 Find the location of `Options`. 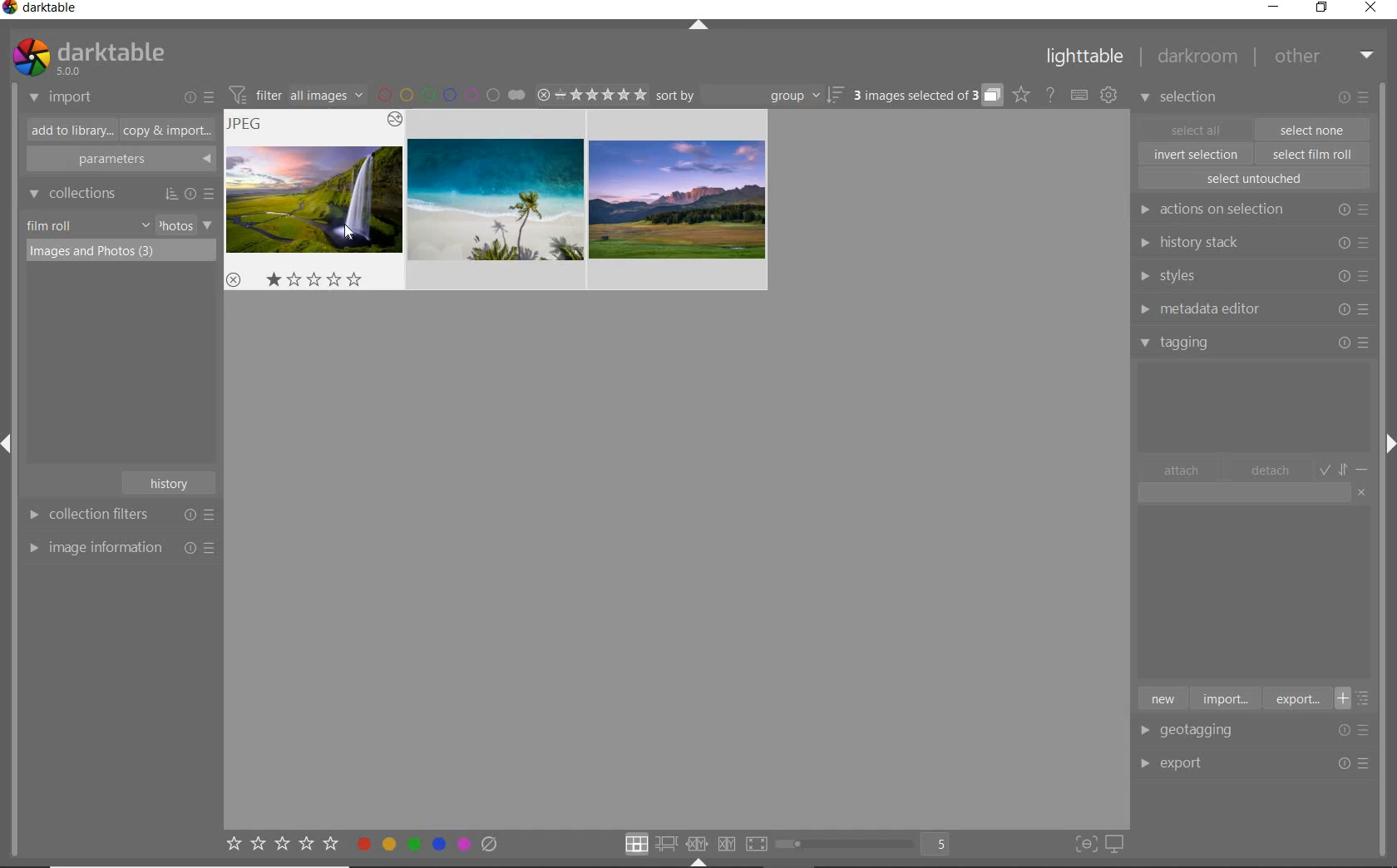

Options is located at coordinates (1355, 764).